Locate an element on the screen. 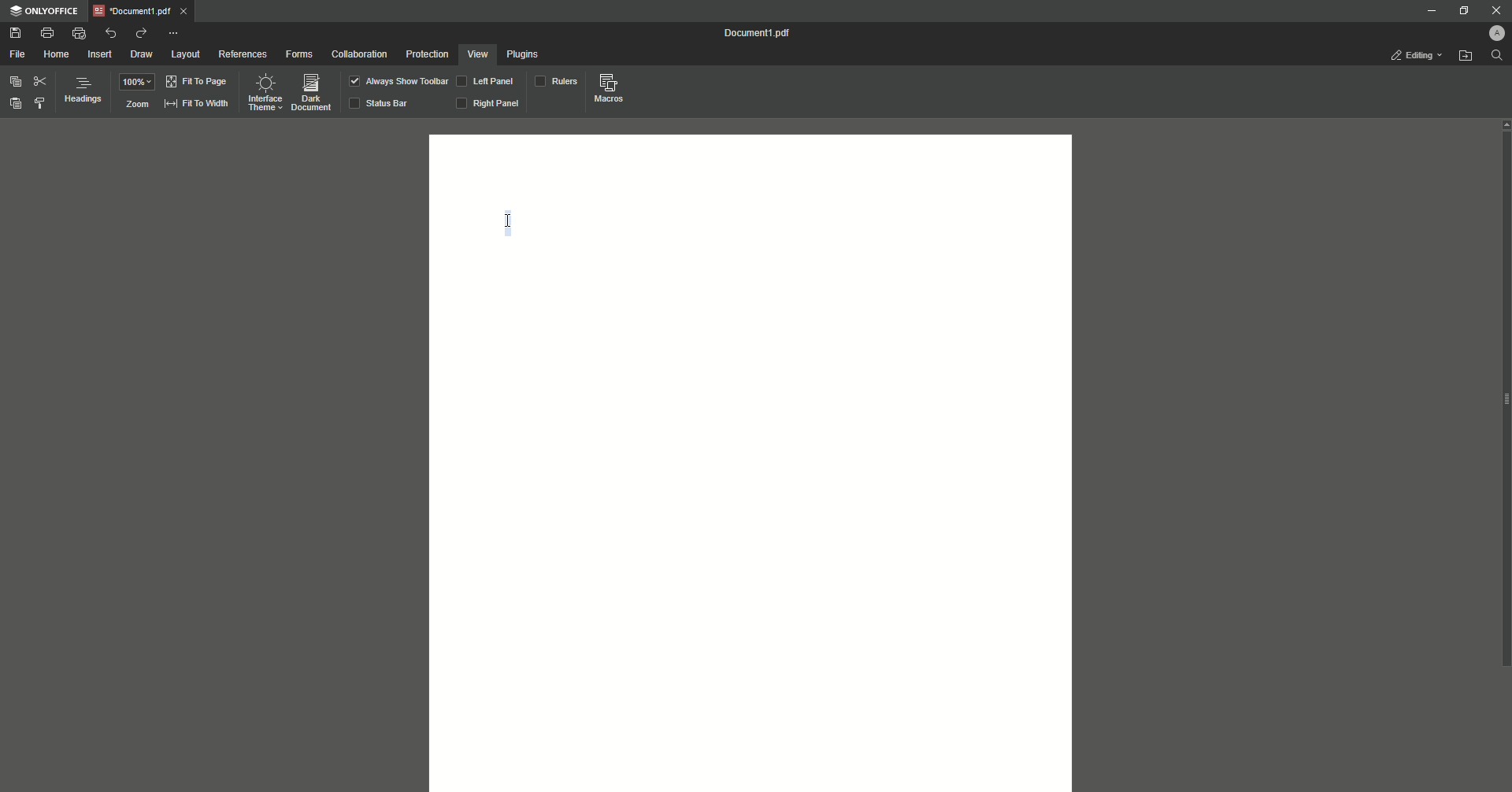 Image resolution: width=1512 pixels, height=792 pixels. Forms is located at coordinates (299, 54).